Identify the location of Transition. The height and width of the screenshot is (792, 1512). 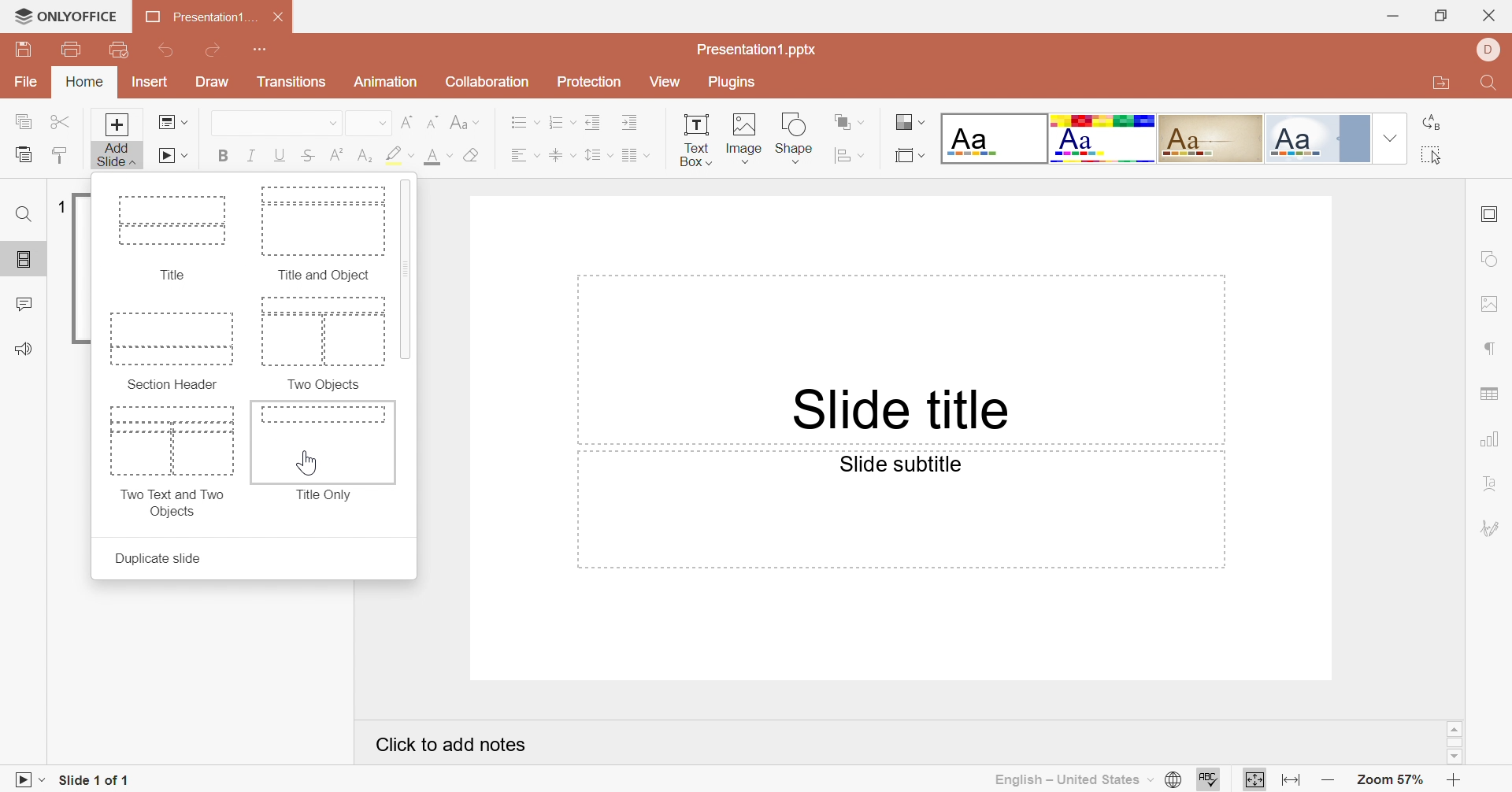
(292, 81).